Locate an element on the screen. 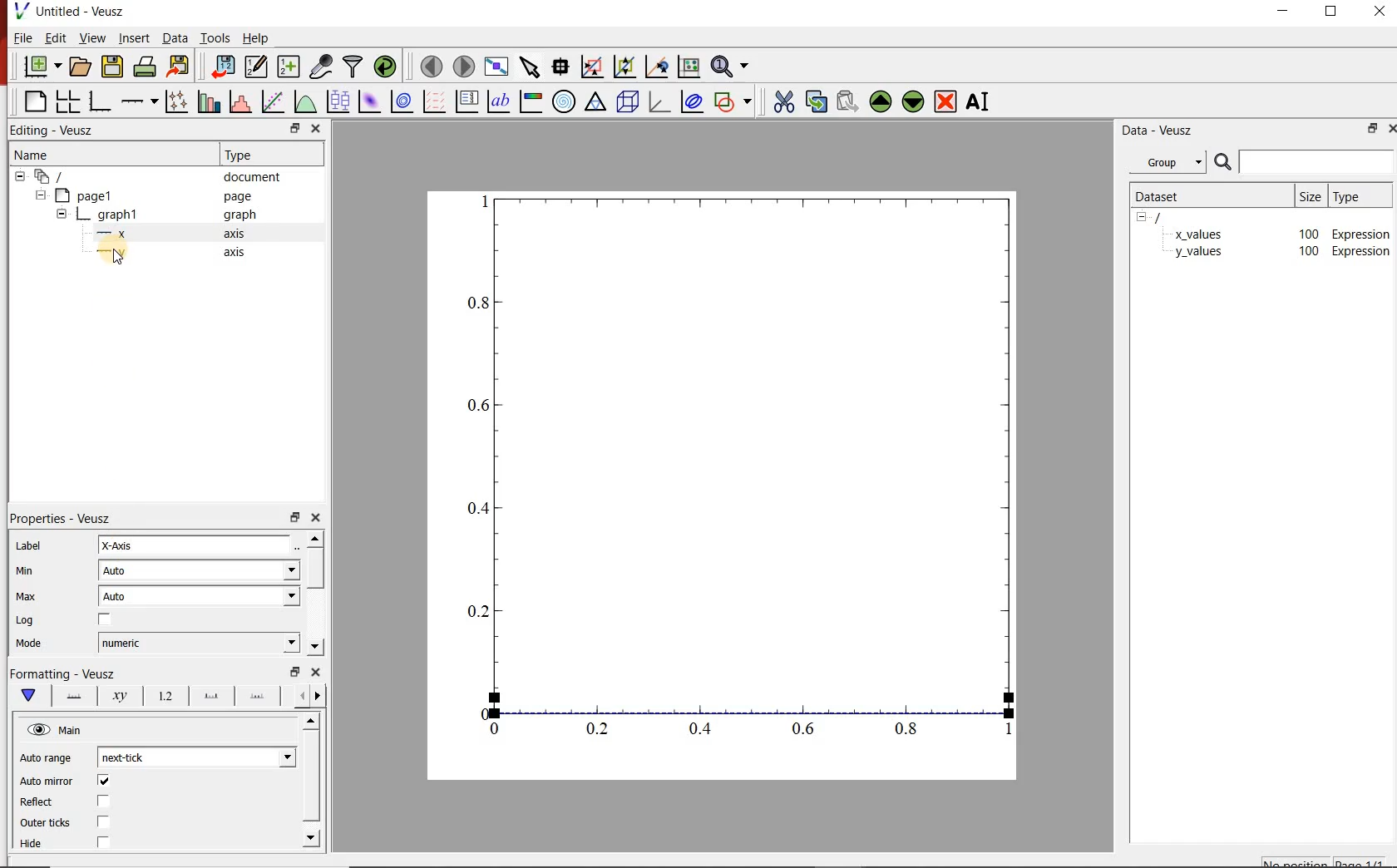  Auto range is located at coordinates (47, 757).